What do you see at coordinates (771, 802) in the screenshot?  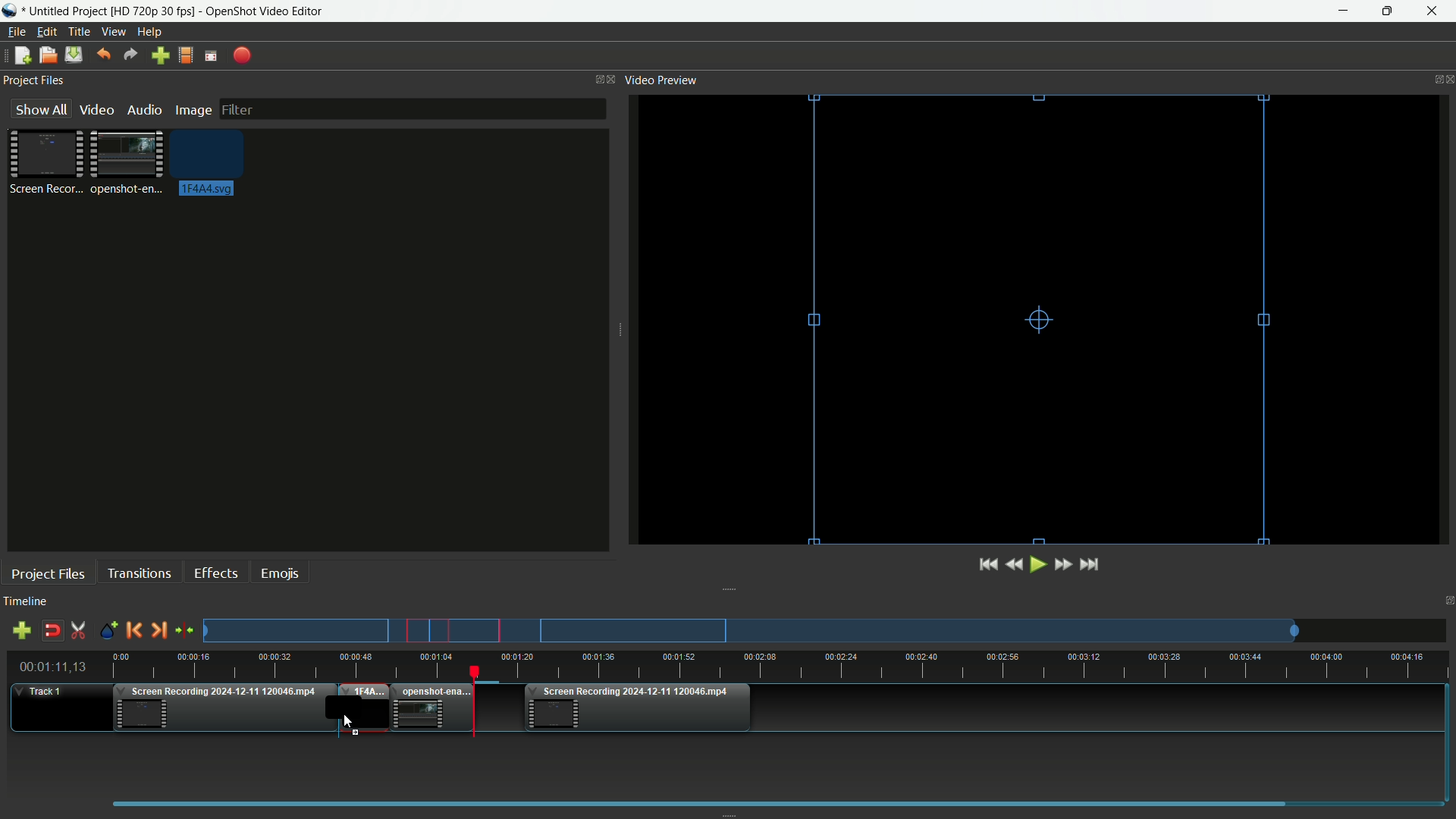 I see `scrollbar ` at bounding box center [771, 802].